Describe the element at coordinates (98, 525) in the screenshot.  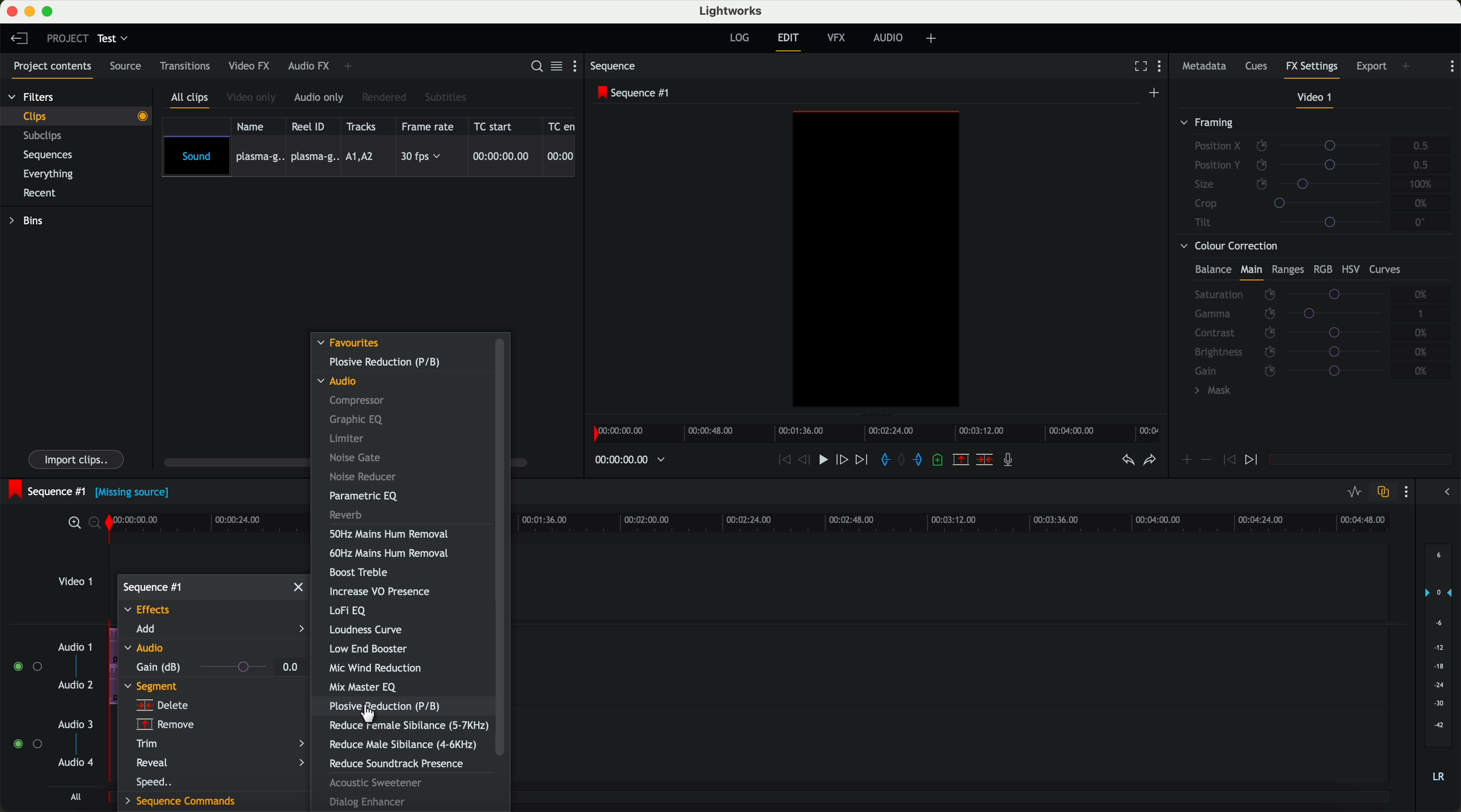
I see `zoom out` at that location.